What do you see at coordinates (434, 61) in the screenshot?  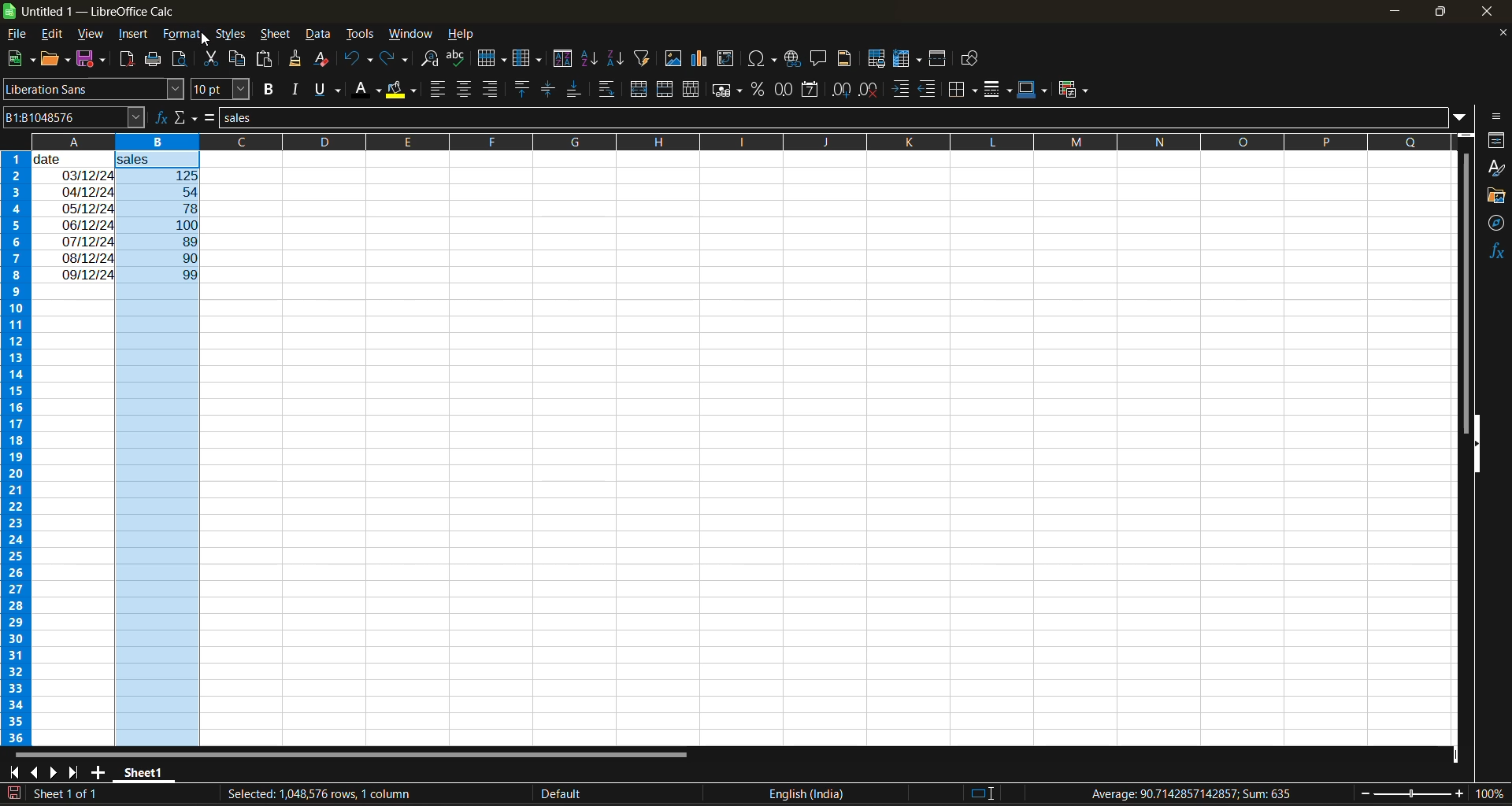 I see `find and replace` at bounding box center [434, 61].